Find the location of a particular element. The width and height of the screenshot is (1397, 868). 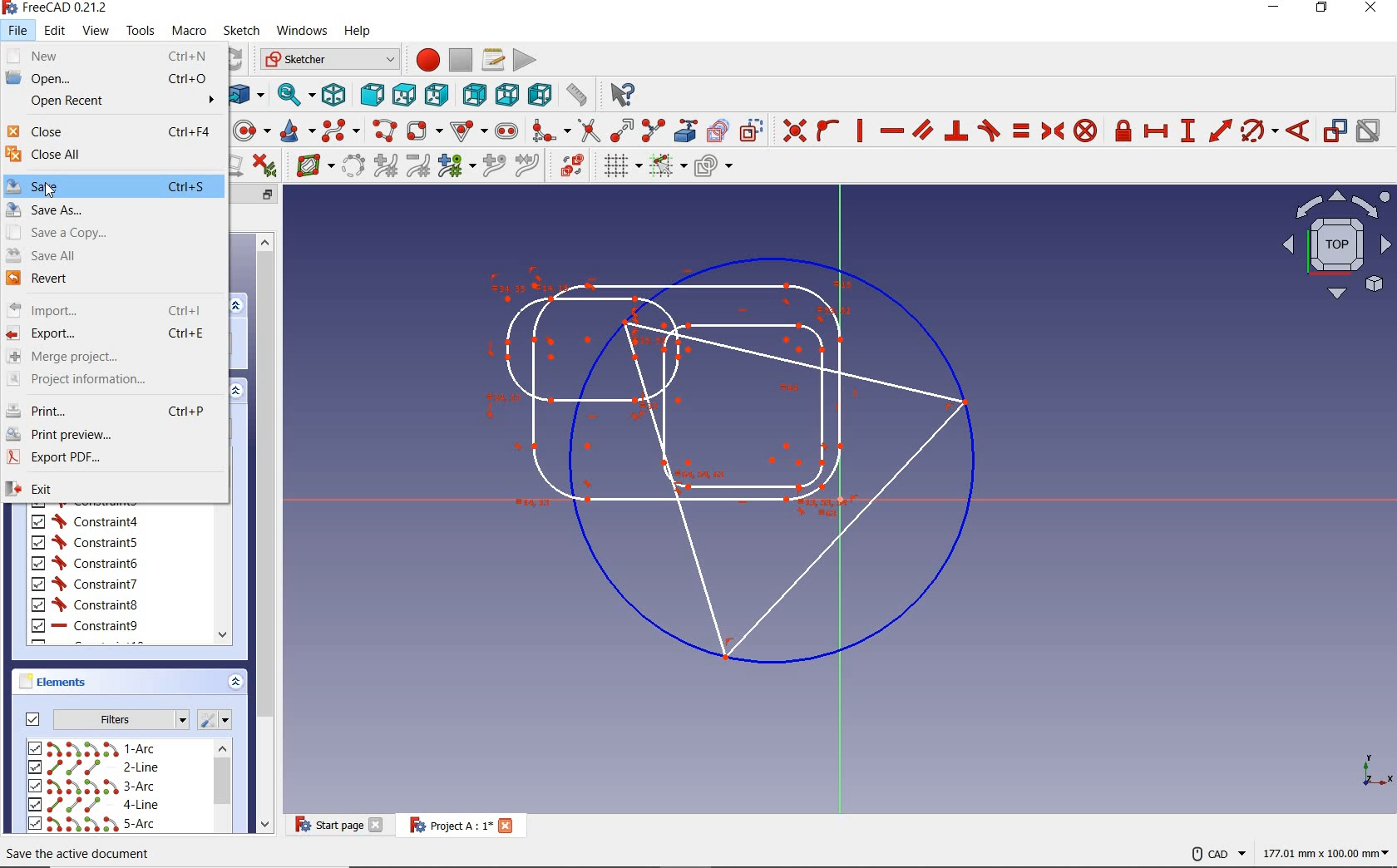

front is located at coordinates (369, 93).